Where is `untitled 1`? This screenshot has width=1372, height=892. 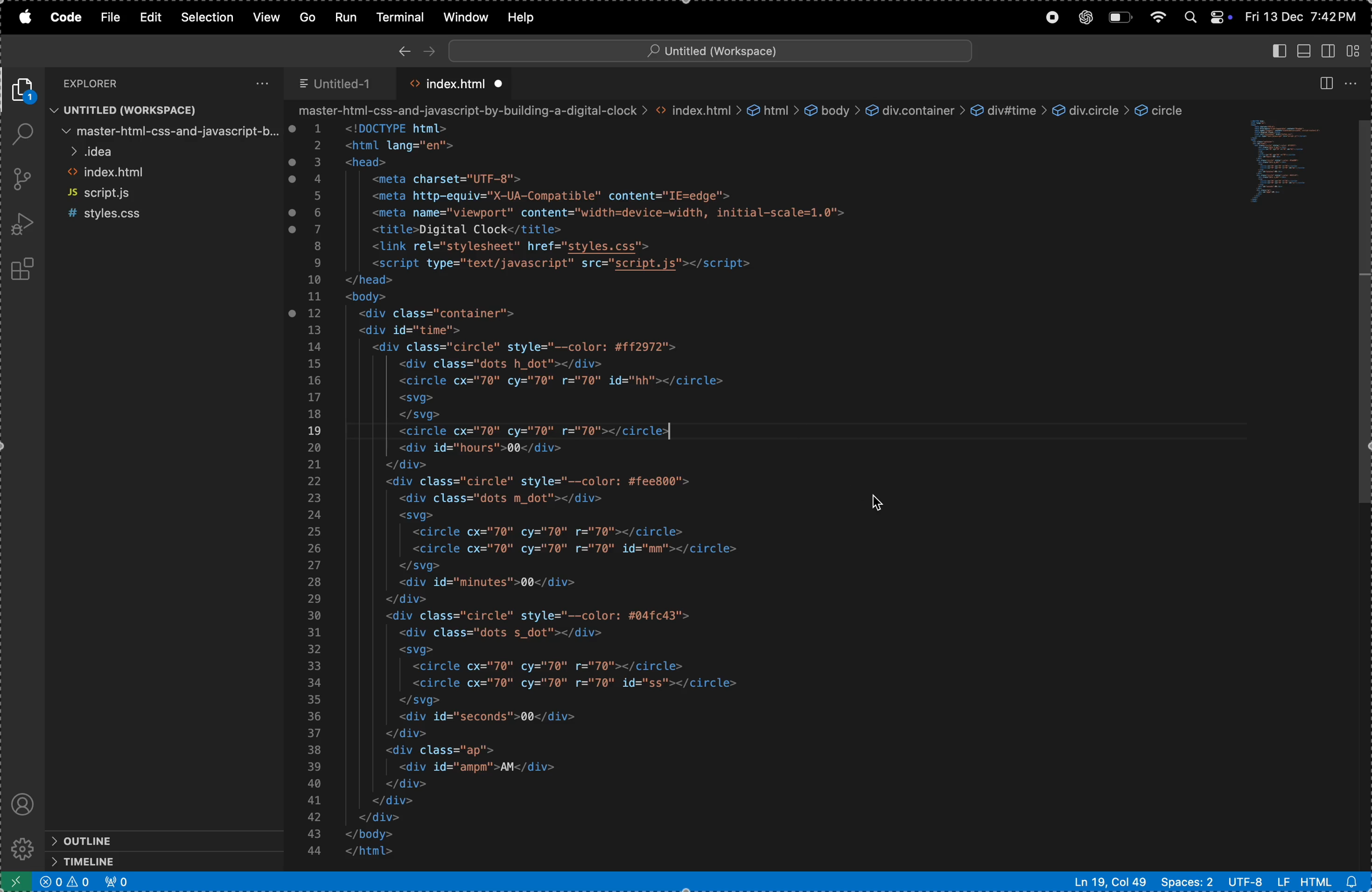
untitled 1 is located at coordinates (342, 81).